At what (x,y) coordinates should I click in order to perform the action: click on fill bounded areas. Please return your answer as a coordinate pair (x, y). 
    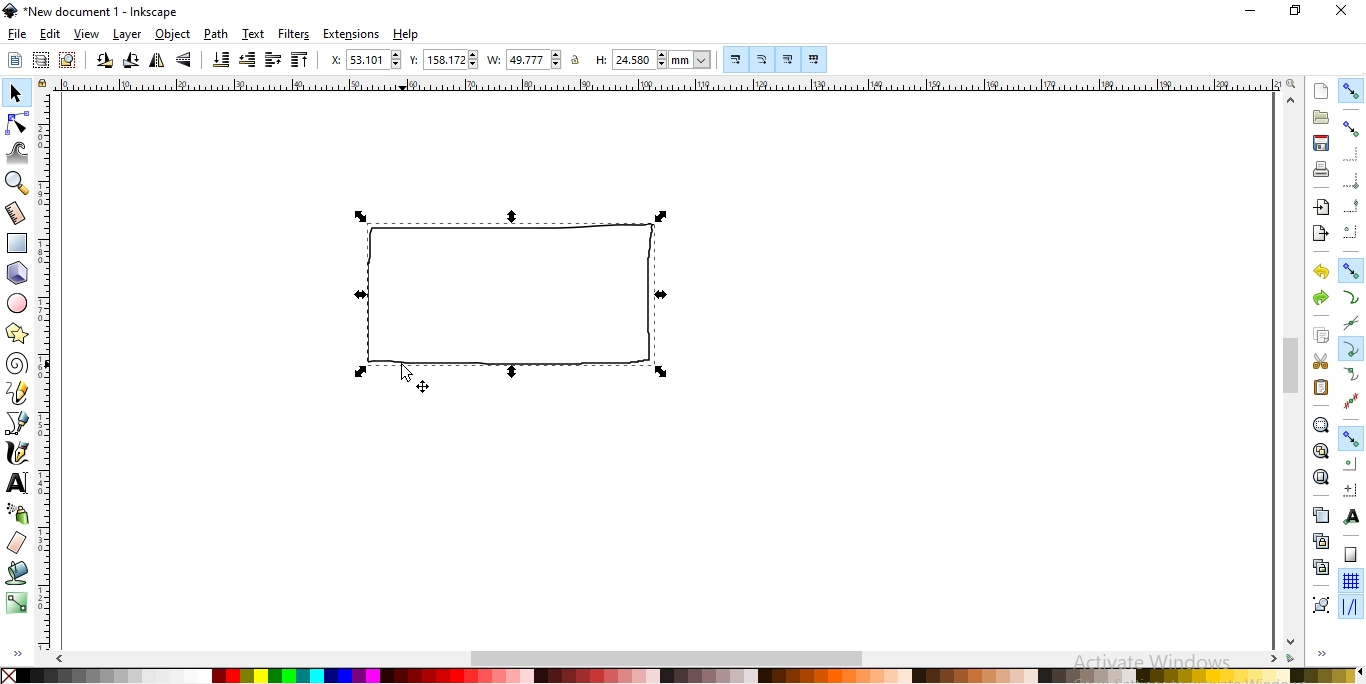
    Looking at the image, I should click on (21, 572).